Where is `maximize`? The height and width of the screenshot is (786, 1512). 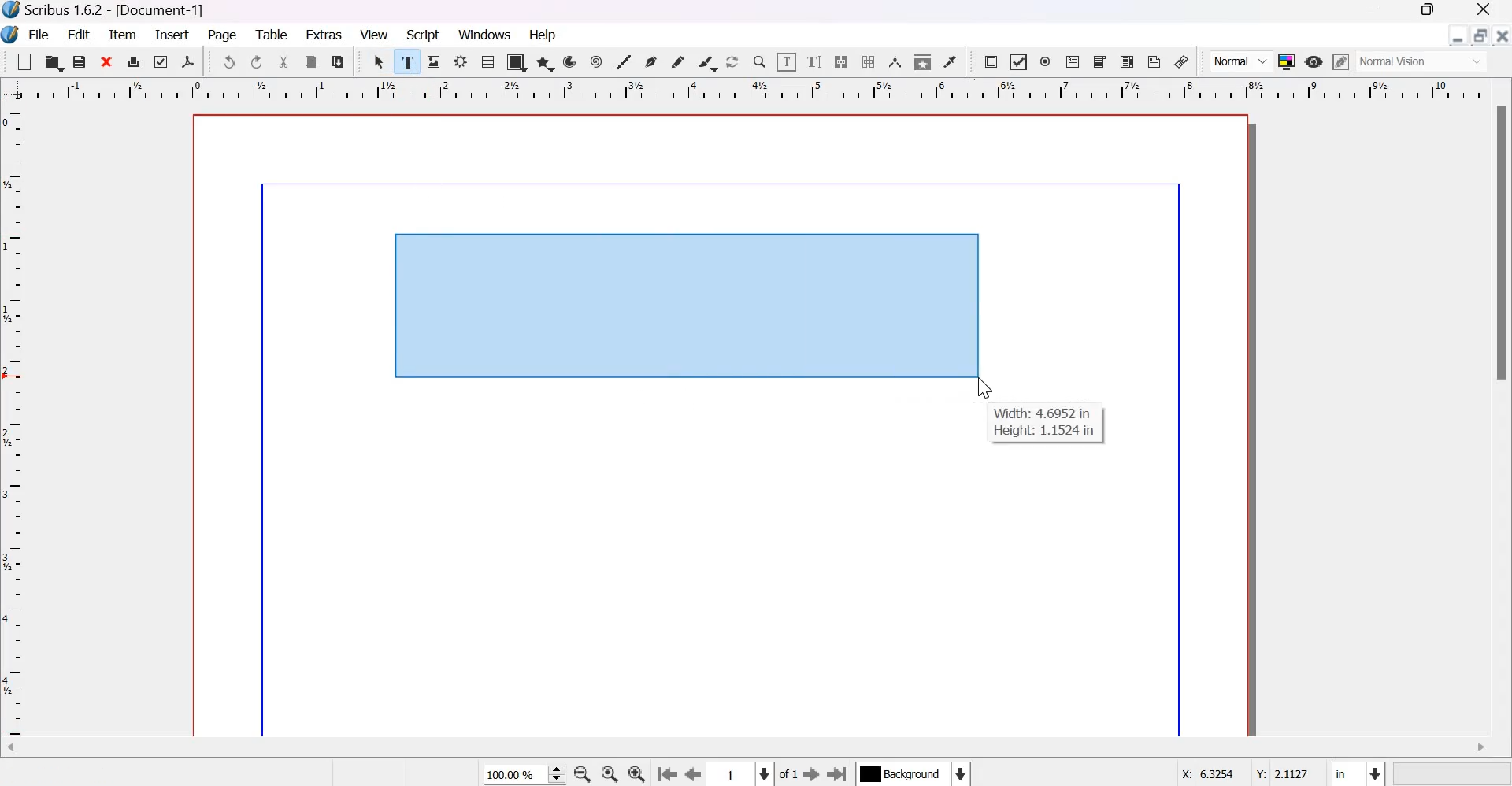
maximize is located at coordinates (1480, 35).